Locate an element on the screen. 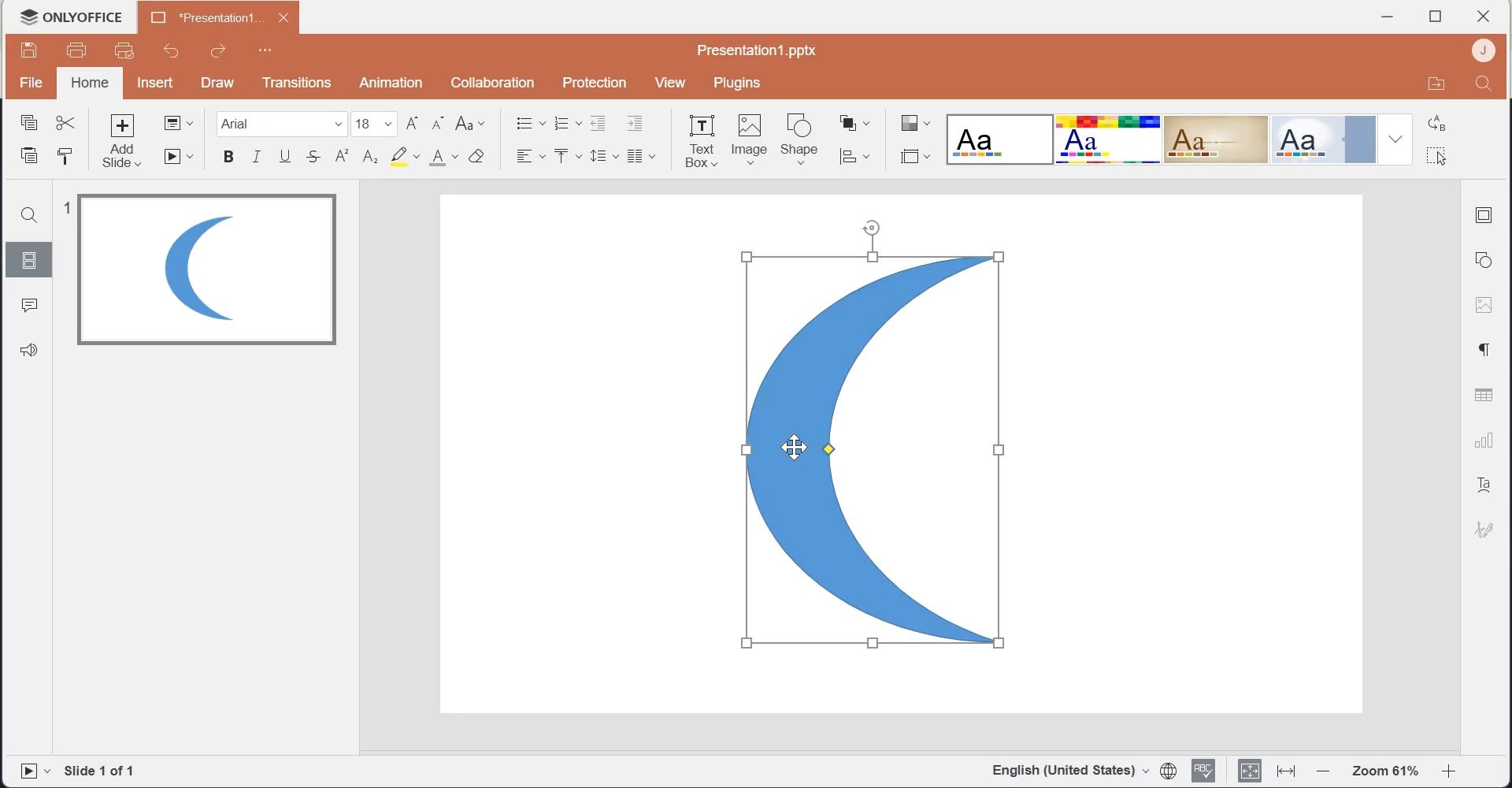 This screenshot has width=1512, height=788. Cut is located at coordinates (67, 123).